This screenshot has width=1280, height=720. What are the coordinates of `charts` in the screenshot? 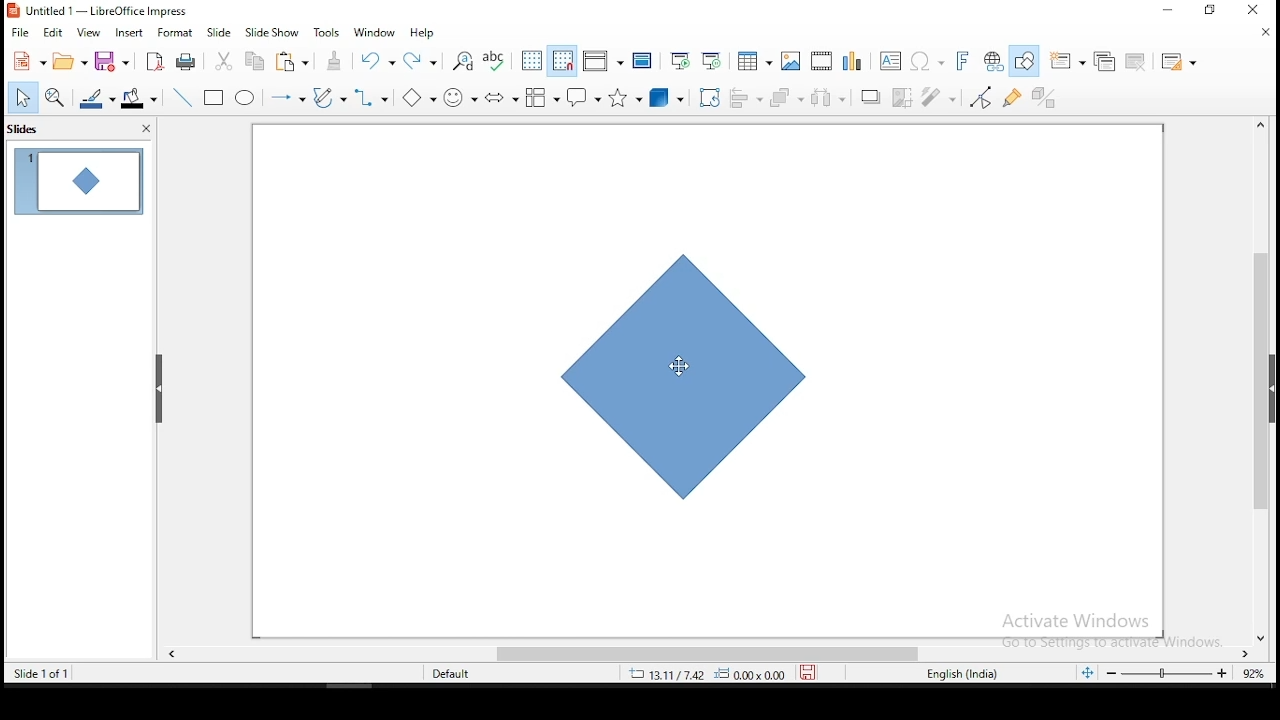 It's located at (857, 59).